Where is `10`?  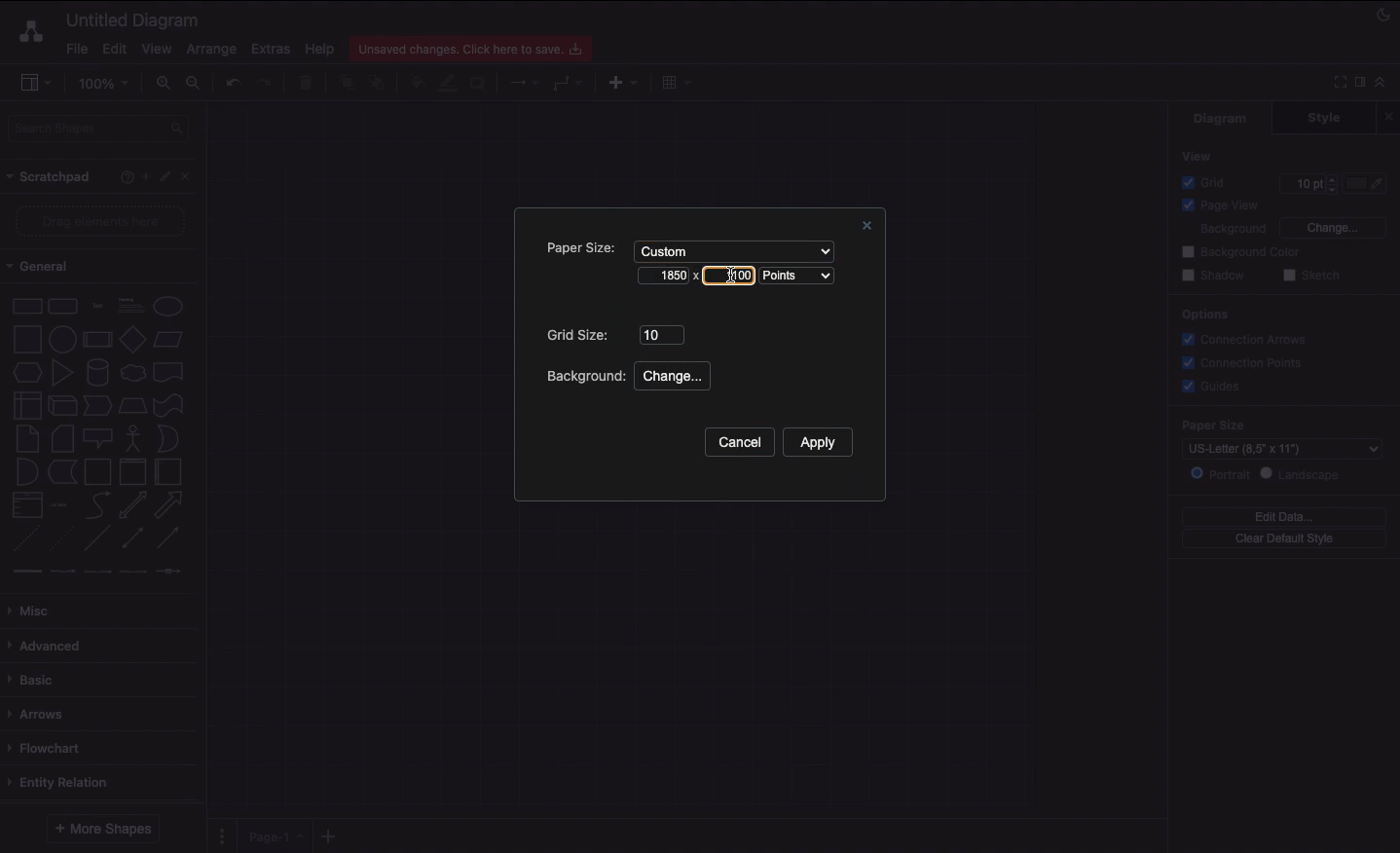 10 is located at coordinates (662, 336).